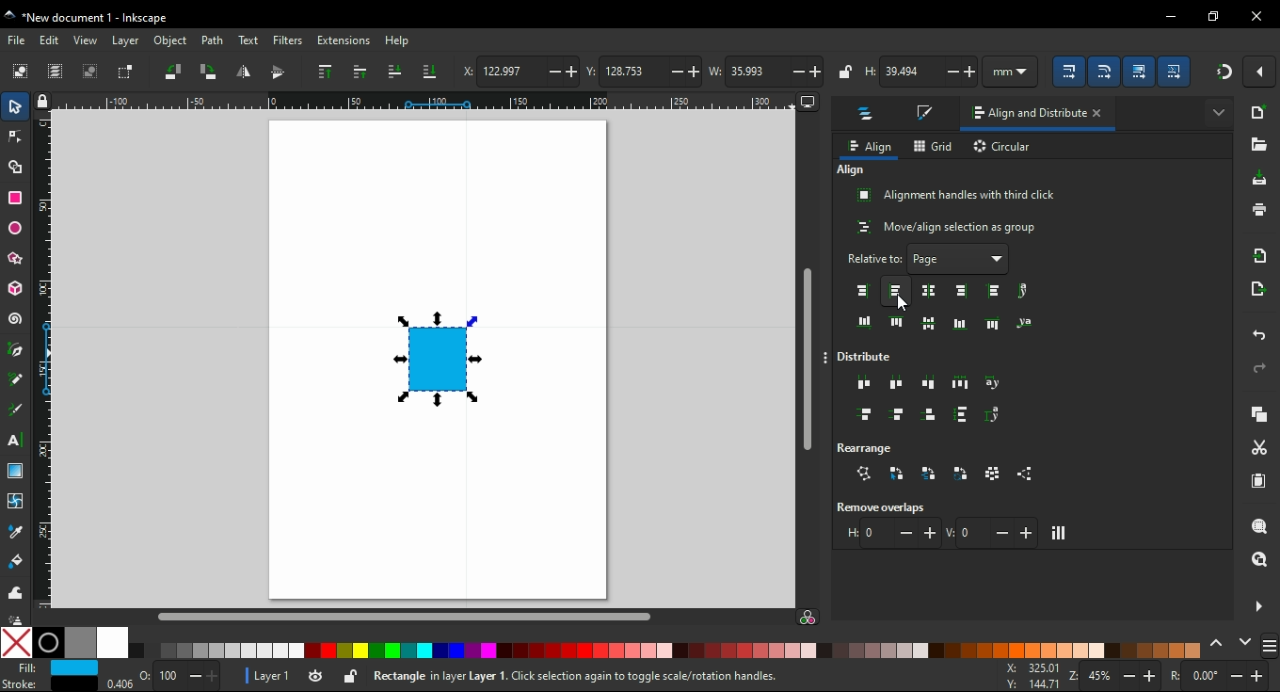 The image size is (1280, 692). Describe the element at coordinates (1177, 72) in the screenshot. I see `move patterns along with the objects` at that location.